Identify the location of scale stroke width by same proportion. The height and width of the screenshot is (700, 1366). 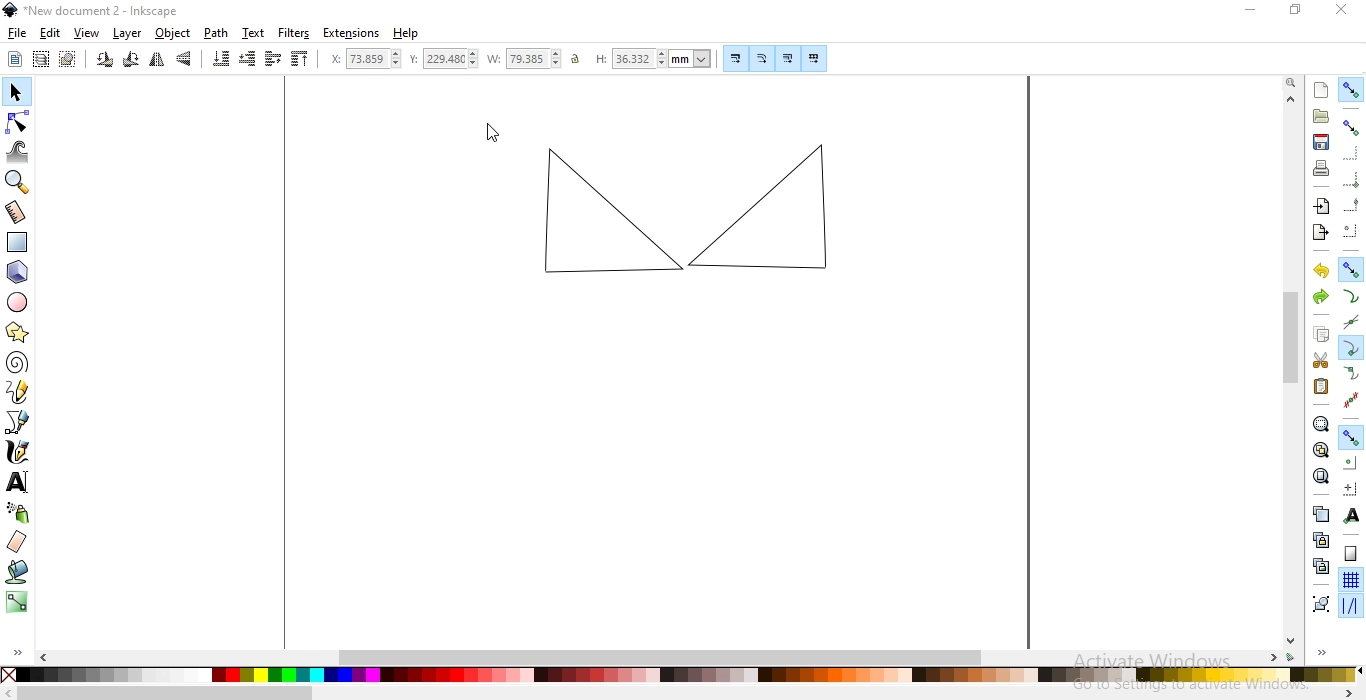
(733, 58).